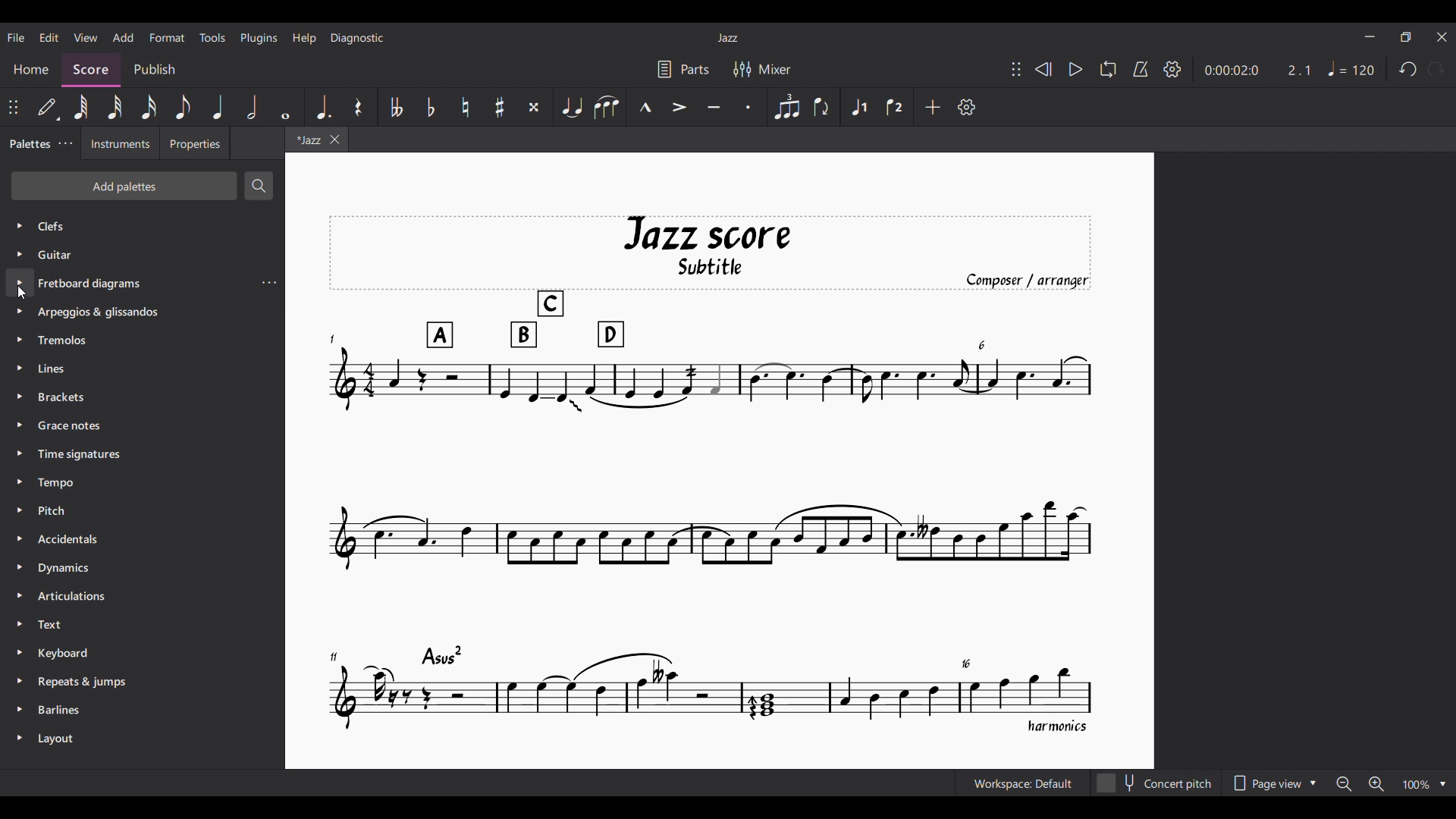 The height and width of the screenshot is (819, 1456). Describe the element at coordinates (821, 106) in the screenshot. I see `Flip direction` at that location.